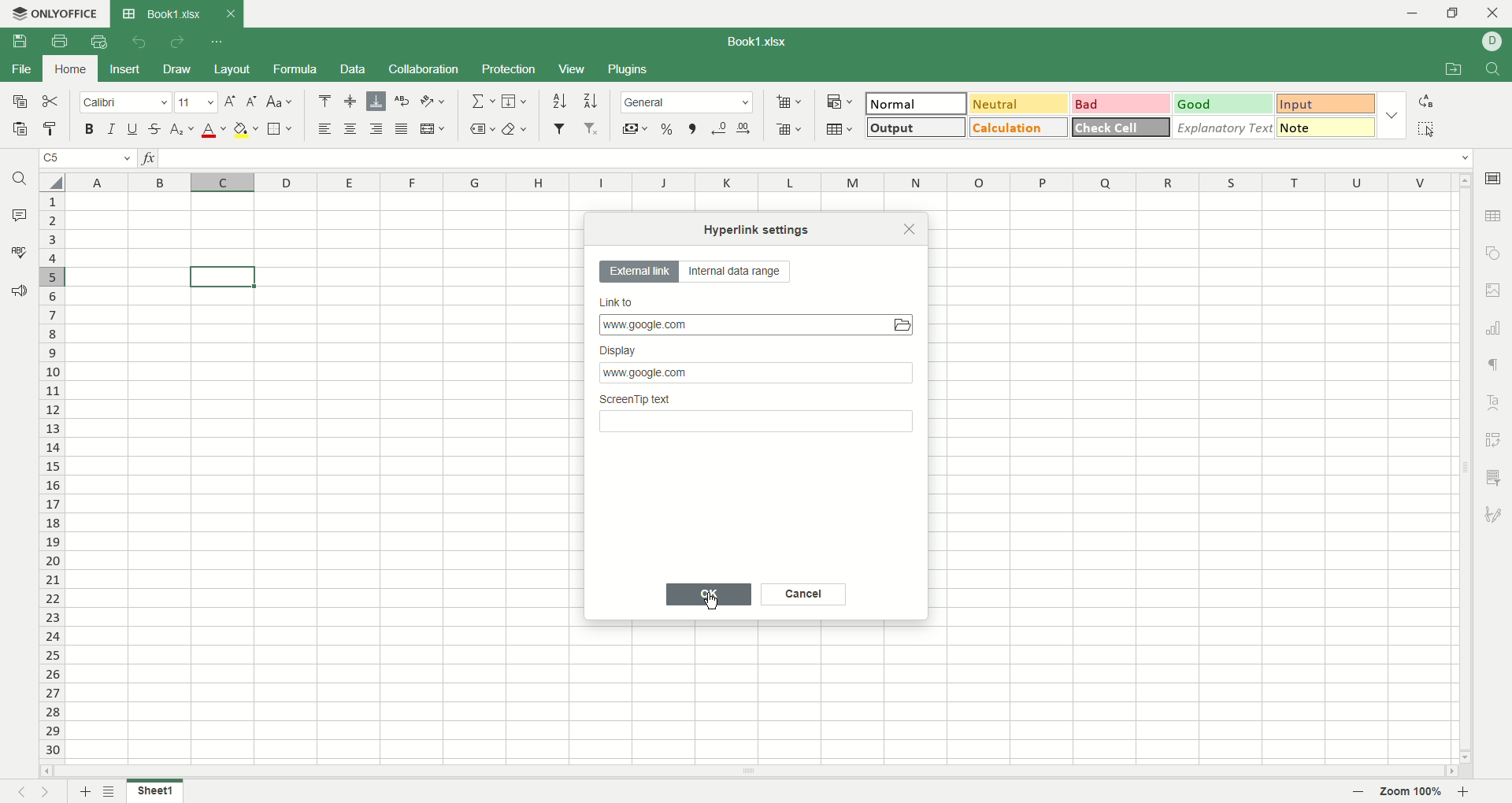  Describe the element at coordinates (20, 71) in the screenshot. I see `file` at that location.